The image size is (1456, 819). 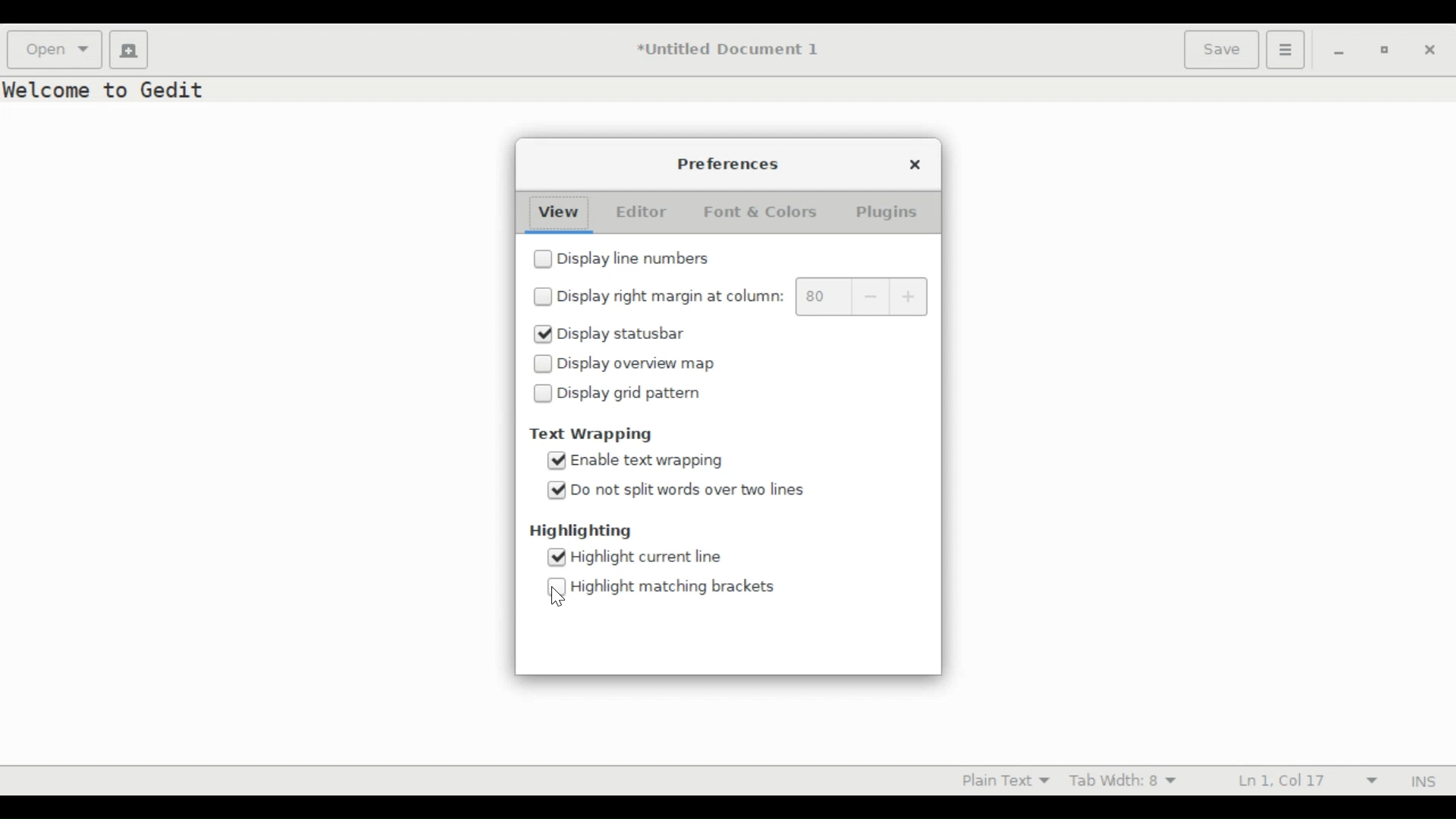 What do you see at coordinates (544, 296) in the screenshot?
I see `checkbox` at bounding box center [544, 296].